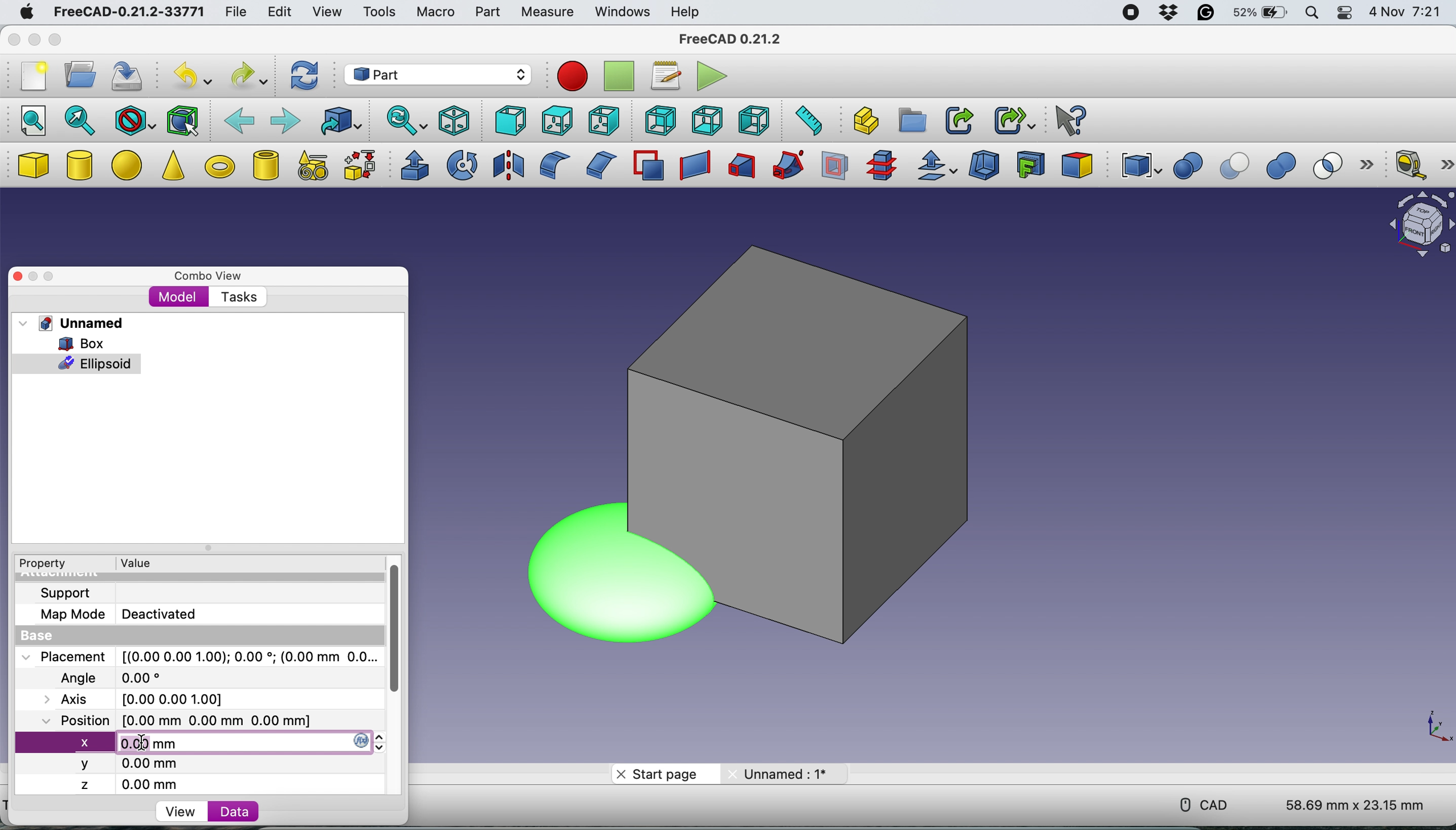 The image size is (1456, 830). Describe the element at coordinates (1200, 805) in the screenshot. I see `cad` at that location.